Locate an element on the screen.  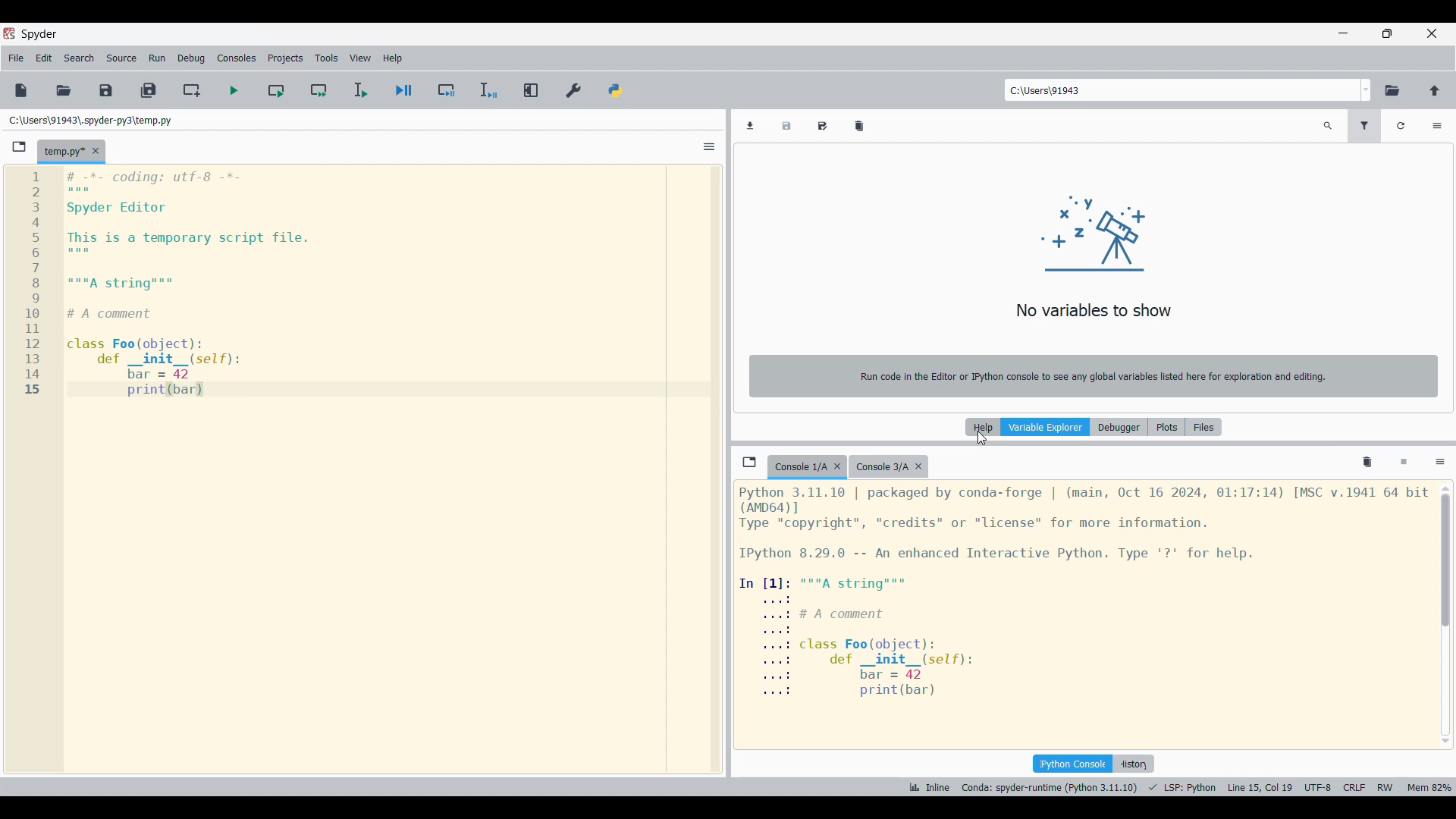
Variable explorer is located at coordinates (1045, 426).